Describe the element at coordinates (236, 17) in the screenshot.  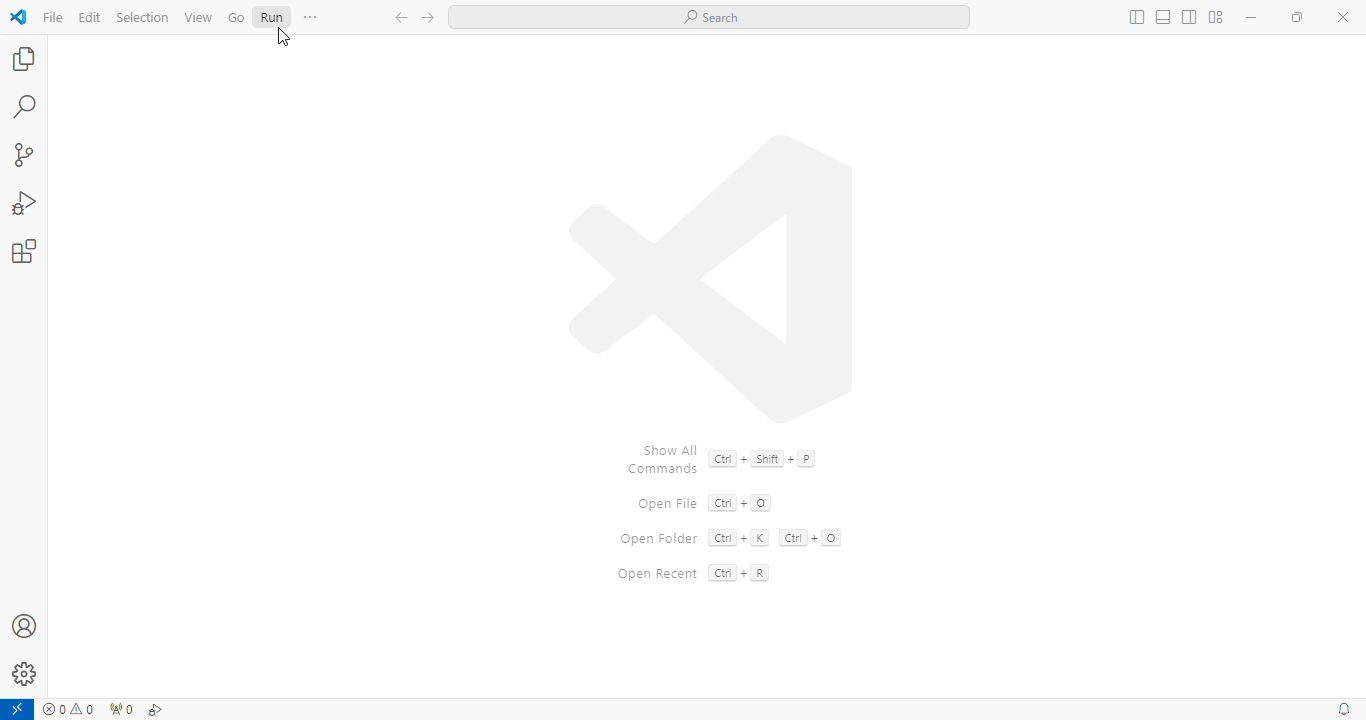
I see `go` at that location.